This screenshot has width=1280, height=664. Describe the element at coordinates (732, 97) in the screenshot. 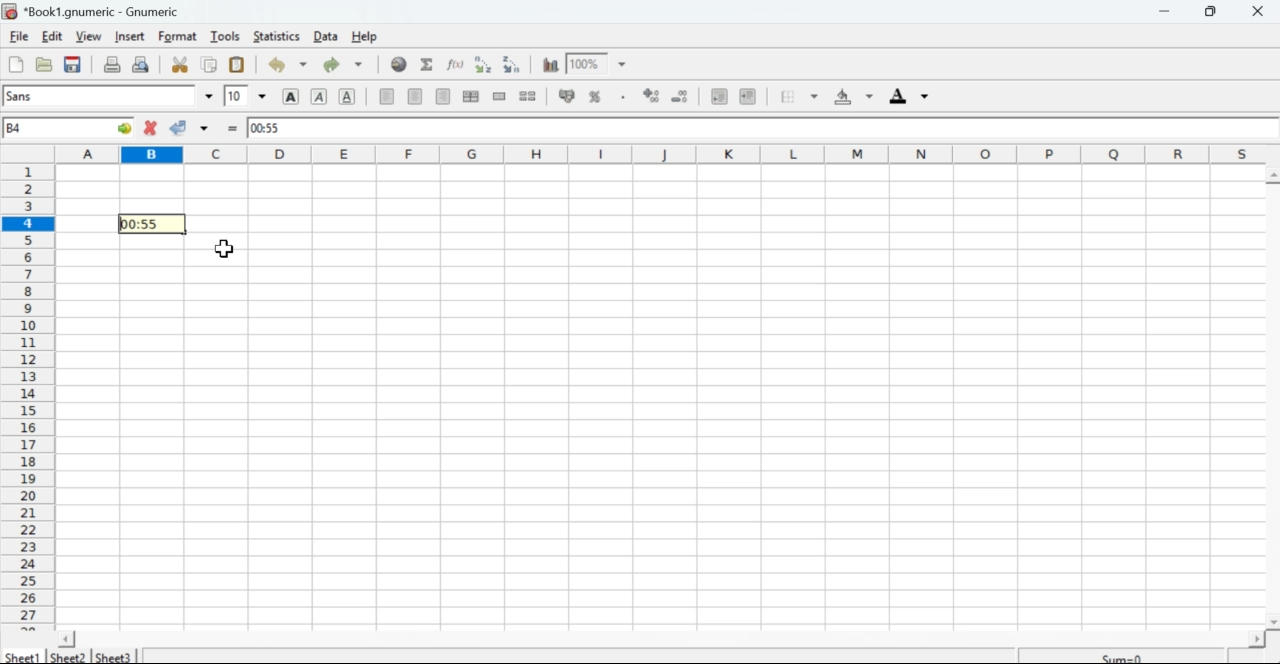

I see `Indentation` at that location.